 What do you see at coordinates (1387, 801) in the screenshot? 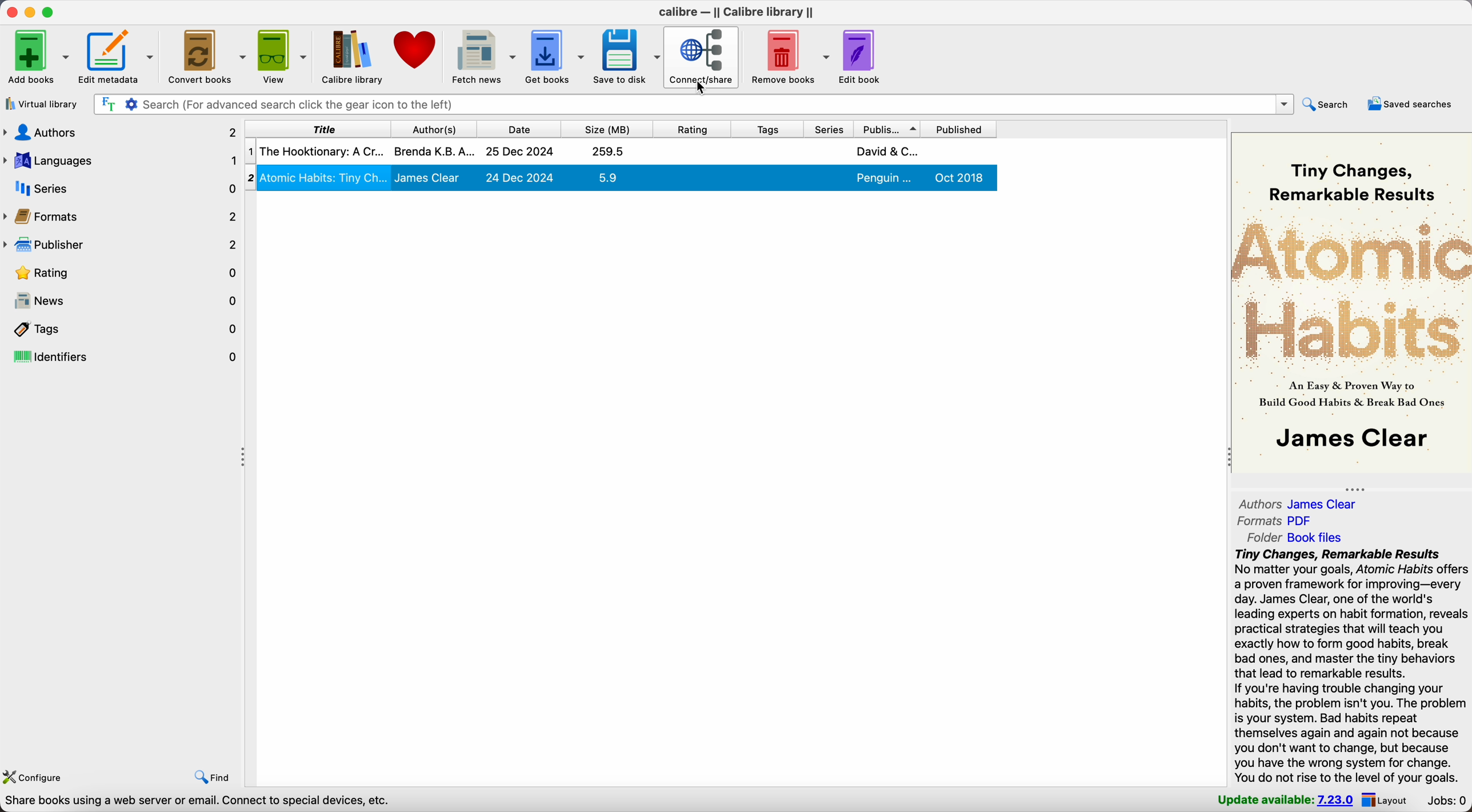
I see `layout` at bounding box center [1387, 801].